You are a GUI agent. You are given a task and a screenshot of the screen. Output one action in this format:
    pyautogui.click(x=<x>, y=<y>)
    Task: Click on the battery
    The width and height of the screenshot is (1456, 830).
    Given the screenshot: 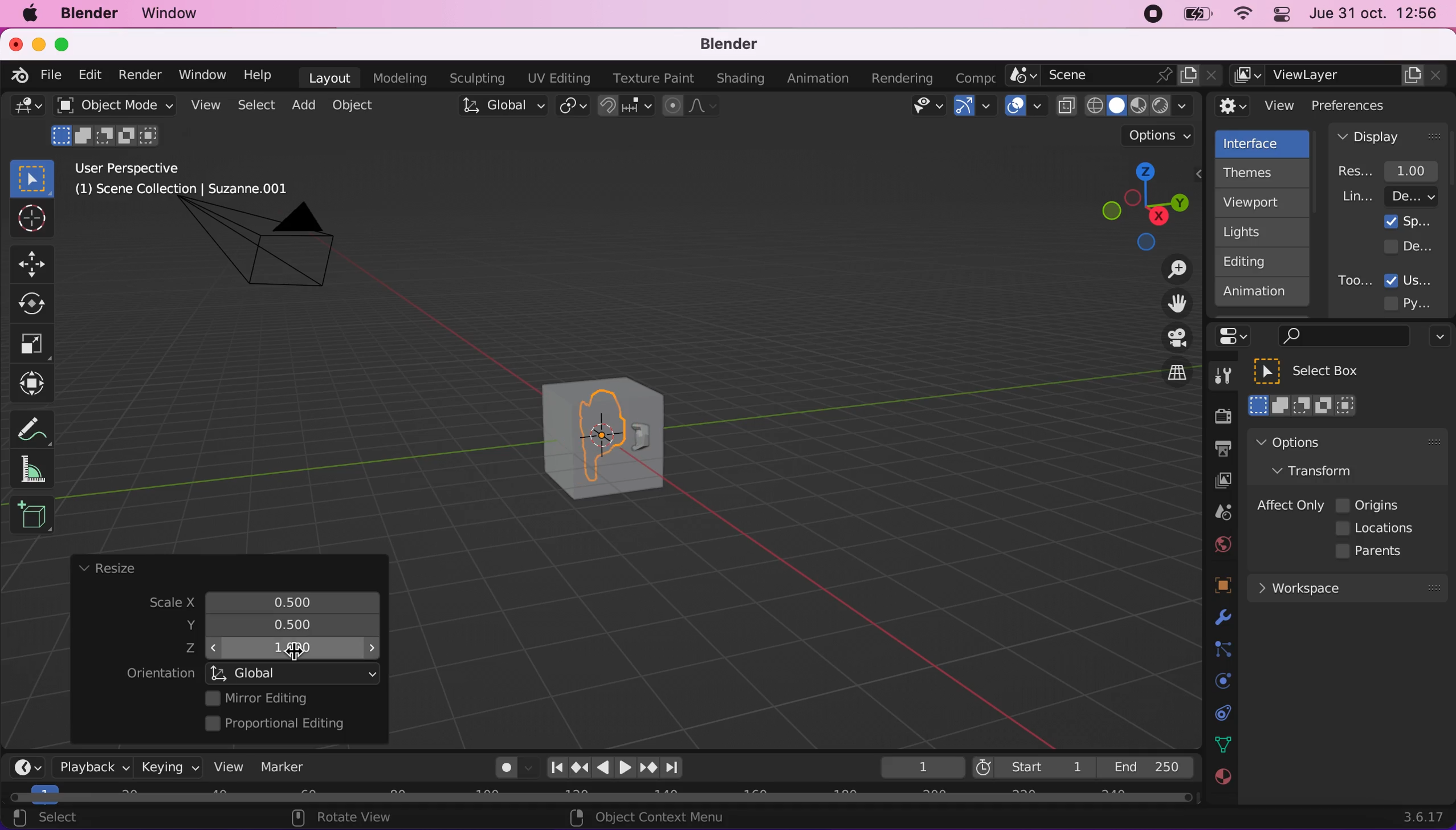 What is the action you would take?
    pyautogui.click(x=1193, y=17)
    